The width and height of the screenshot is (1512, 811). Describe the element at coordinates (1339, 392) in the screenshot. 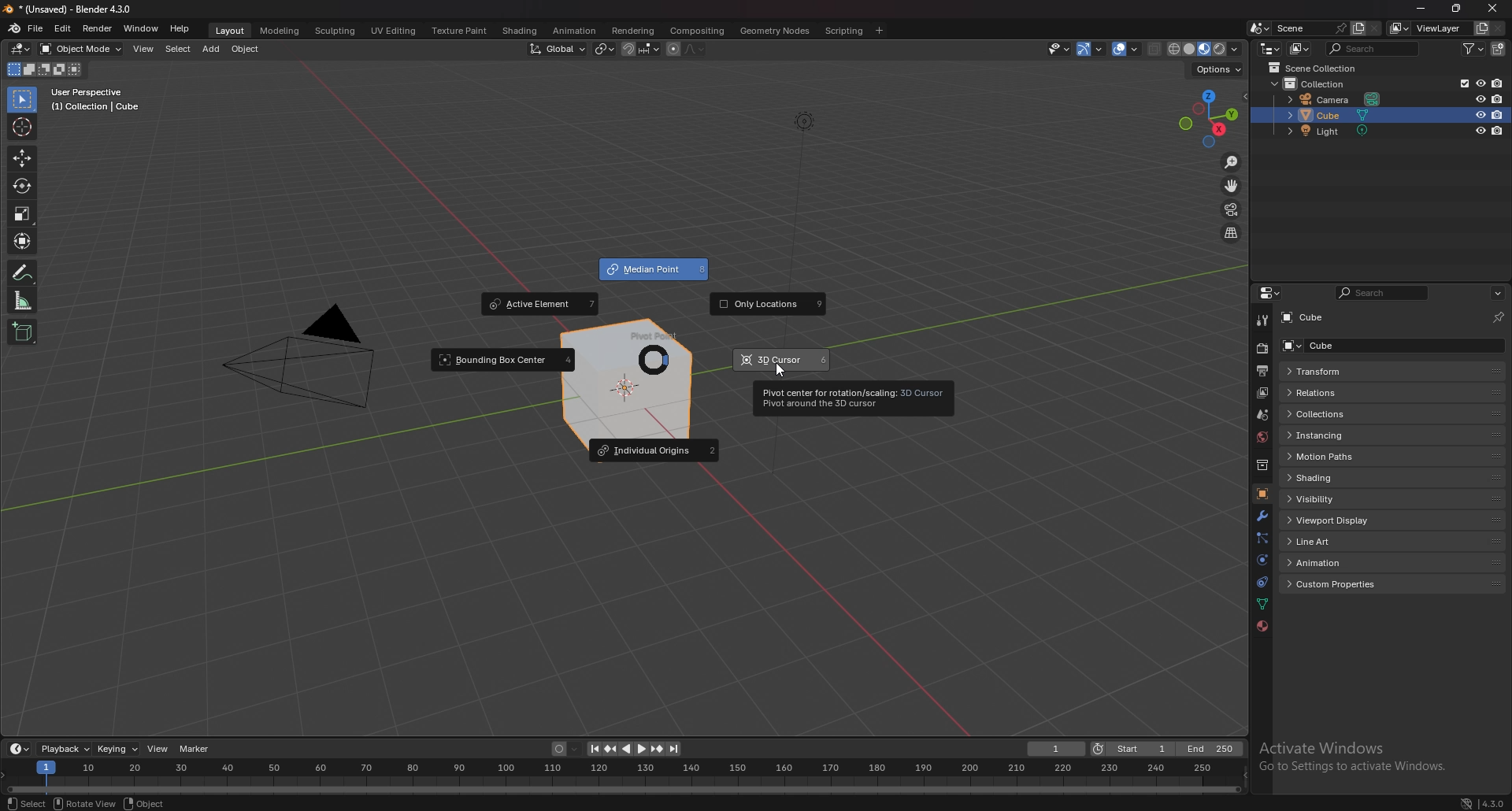

I see `relations` at that location.